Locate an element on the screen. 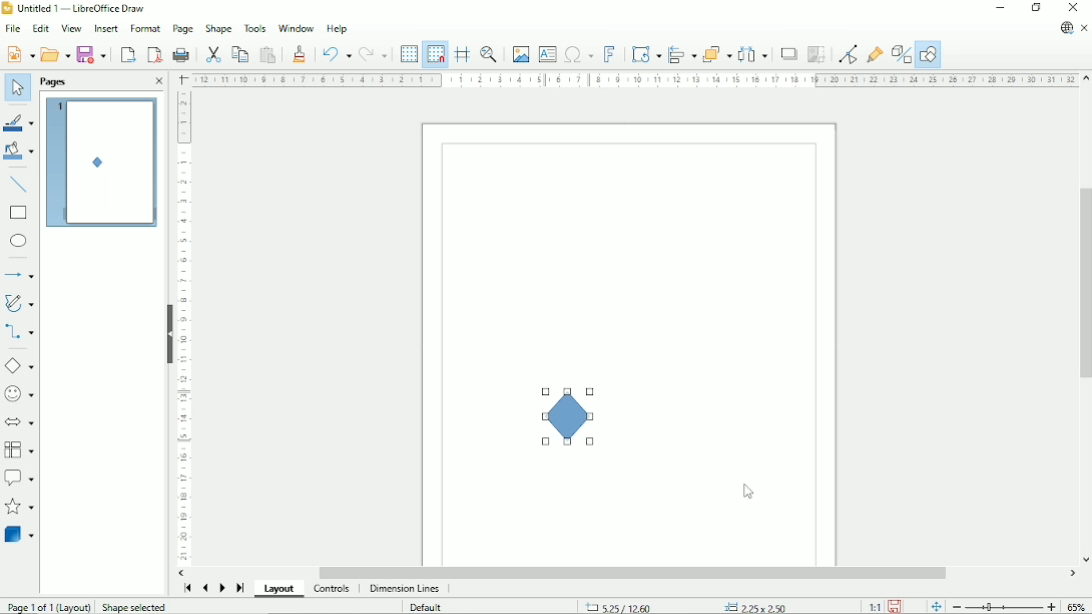 The height and width of the screenshot is (614, 1092). Insert fontwork text is located at coordinates (612, 54).